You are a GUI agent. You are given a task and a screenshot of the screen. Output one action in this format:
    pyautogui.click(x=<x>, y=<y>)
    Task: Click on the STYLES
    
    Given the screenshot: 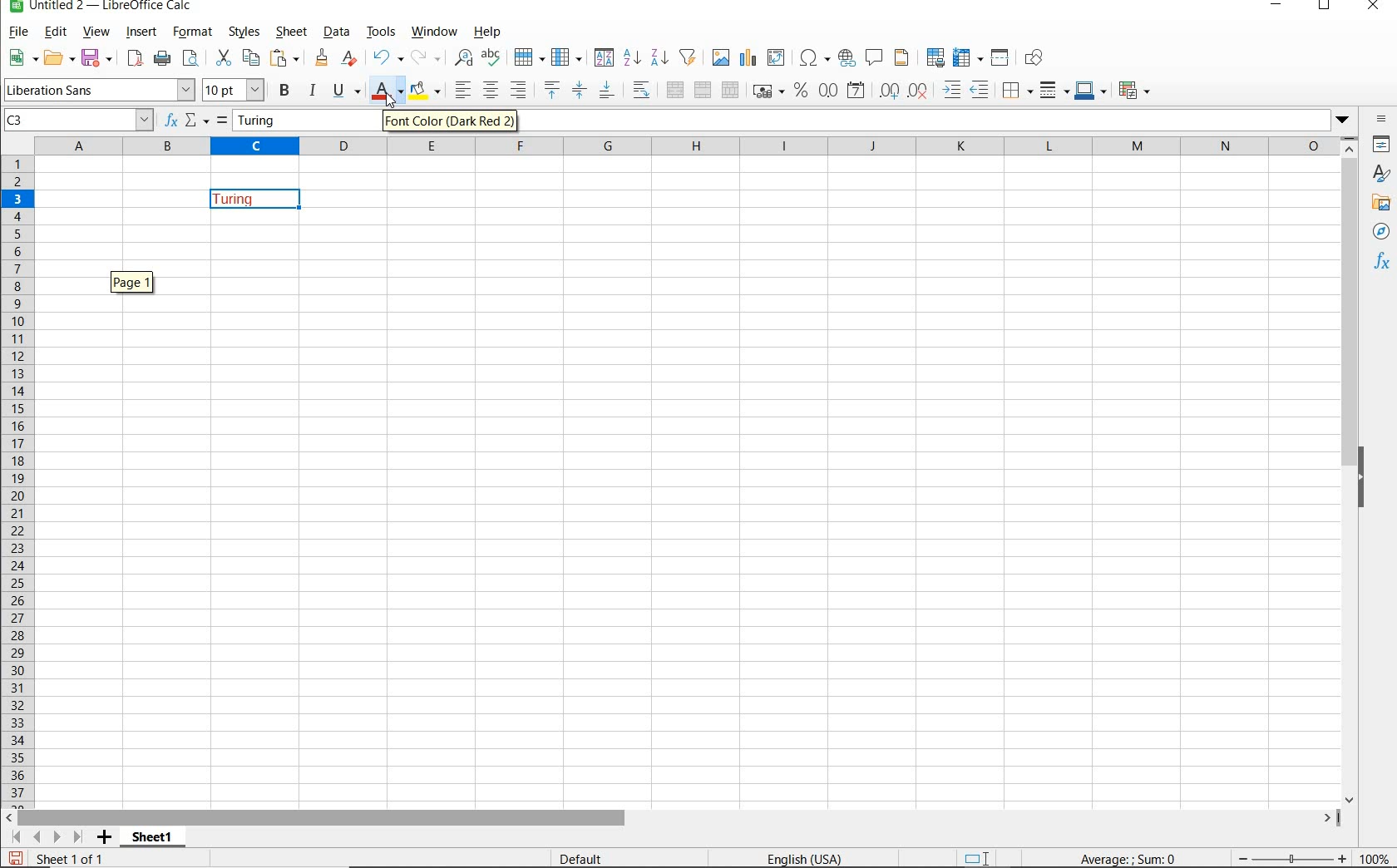 What is the action you would take?
    pyautogui.click(x=243, y=34)
    